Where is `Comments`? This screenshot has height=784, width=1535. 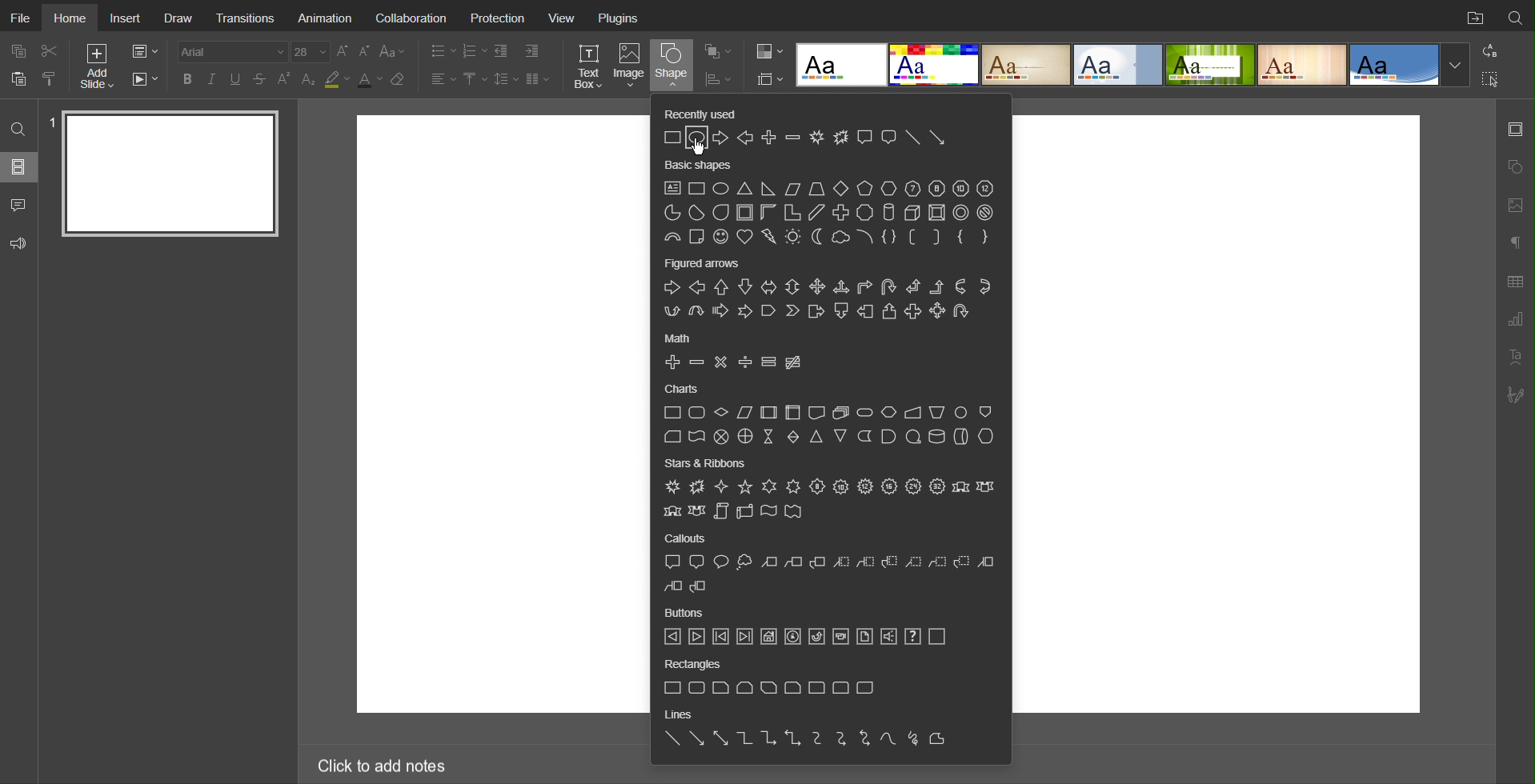
Comments is located at coordinates (20, 205).